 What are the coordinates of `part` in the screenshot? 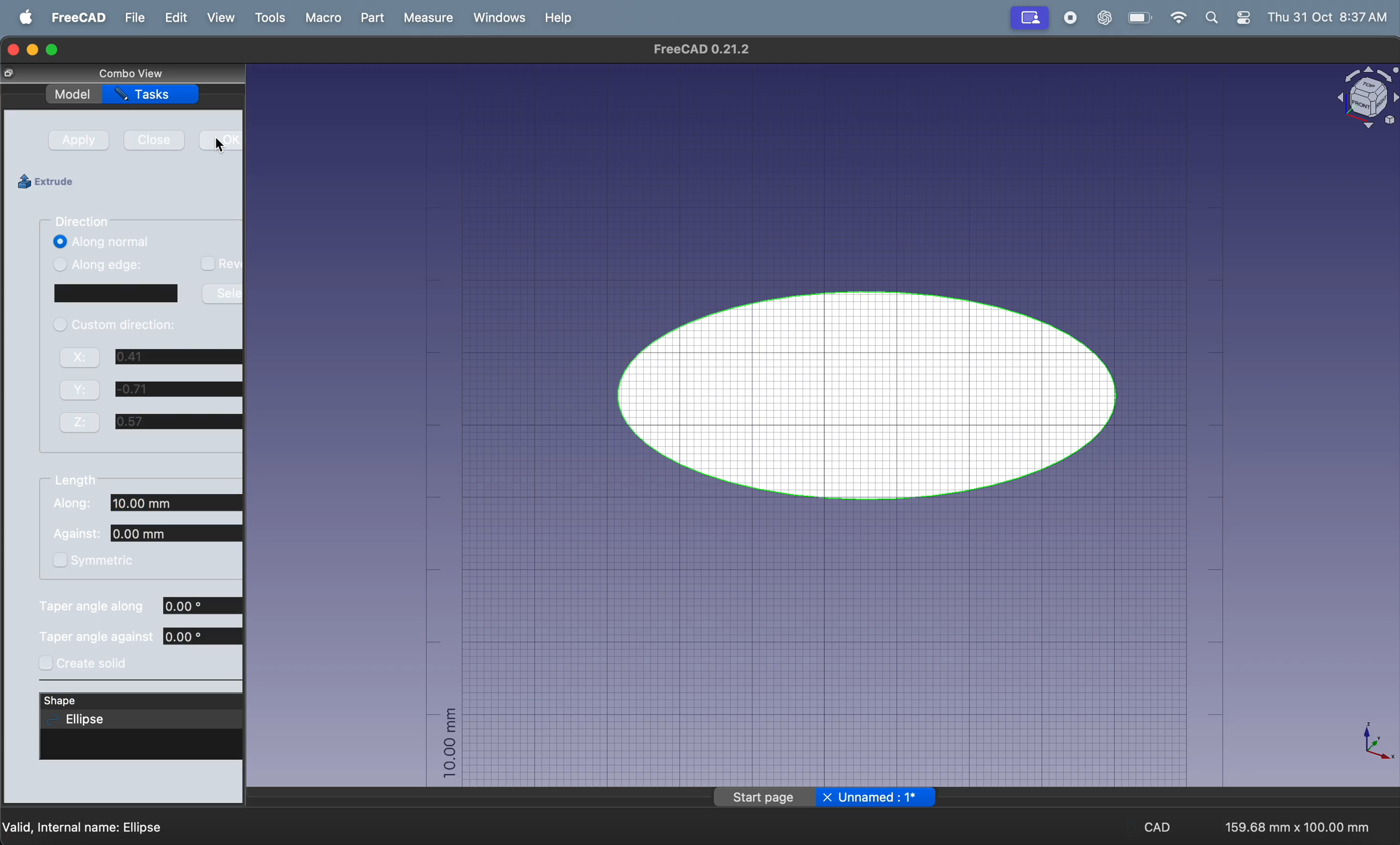 It's located at (369, 18).